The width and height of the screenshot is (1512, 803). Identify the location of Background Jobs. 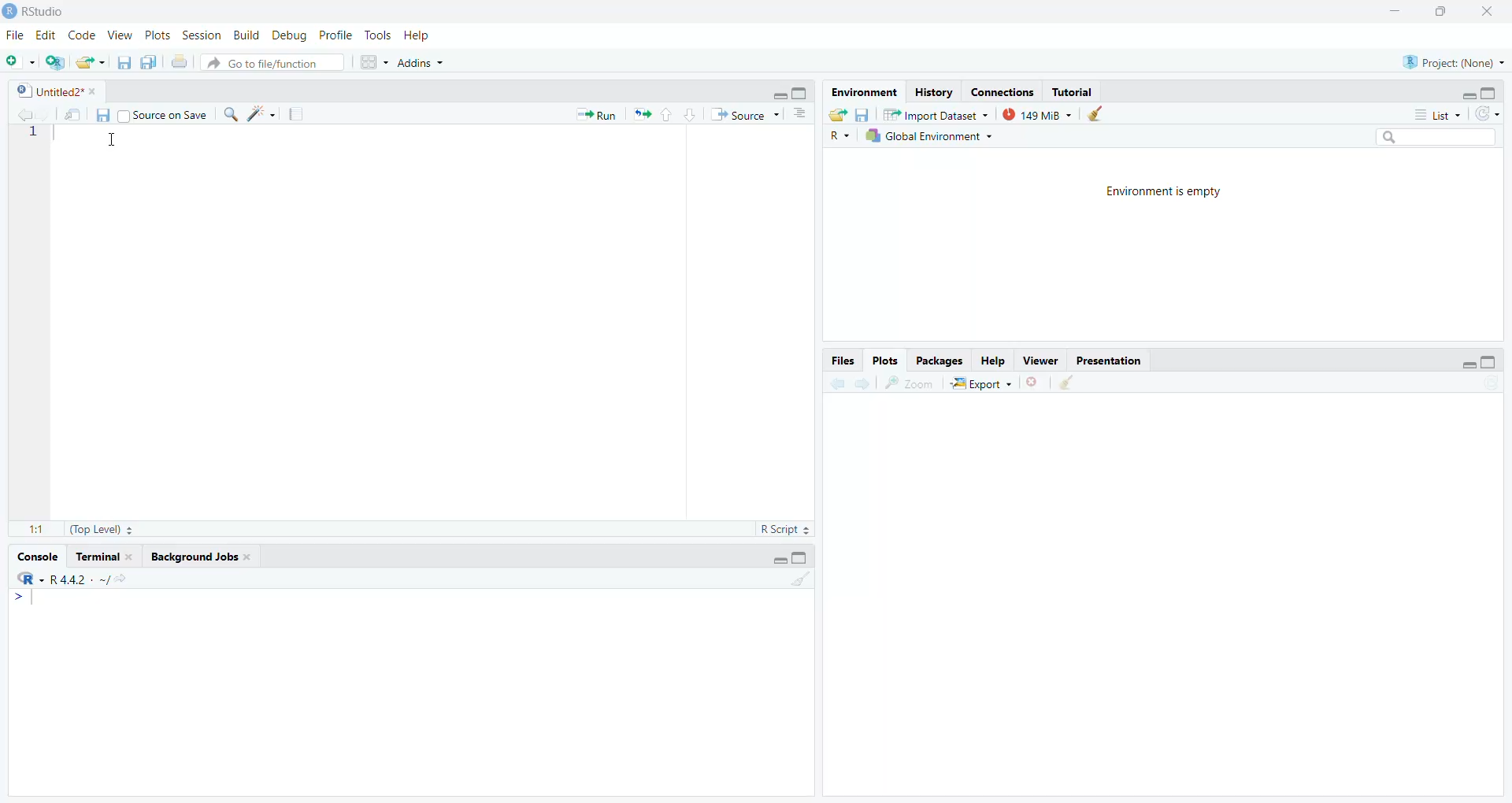
(198, 556).